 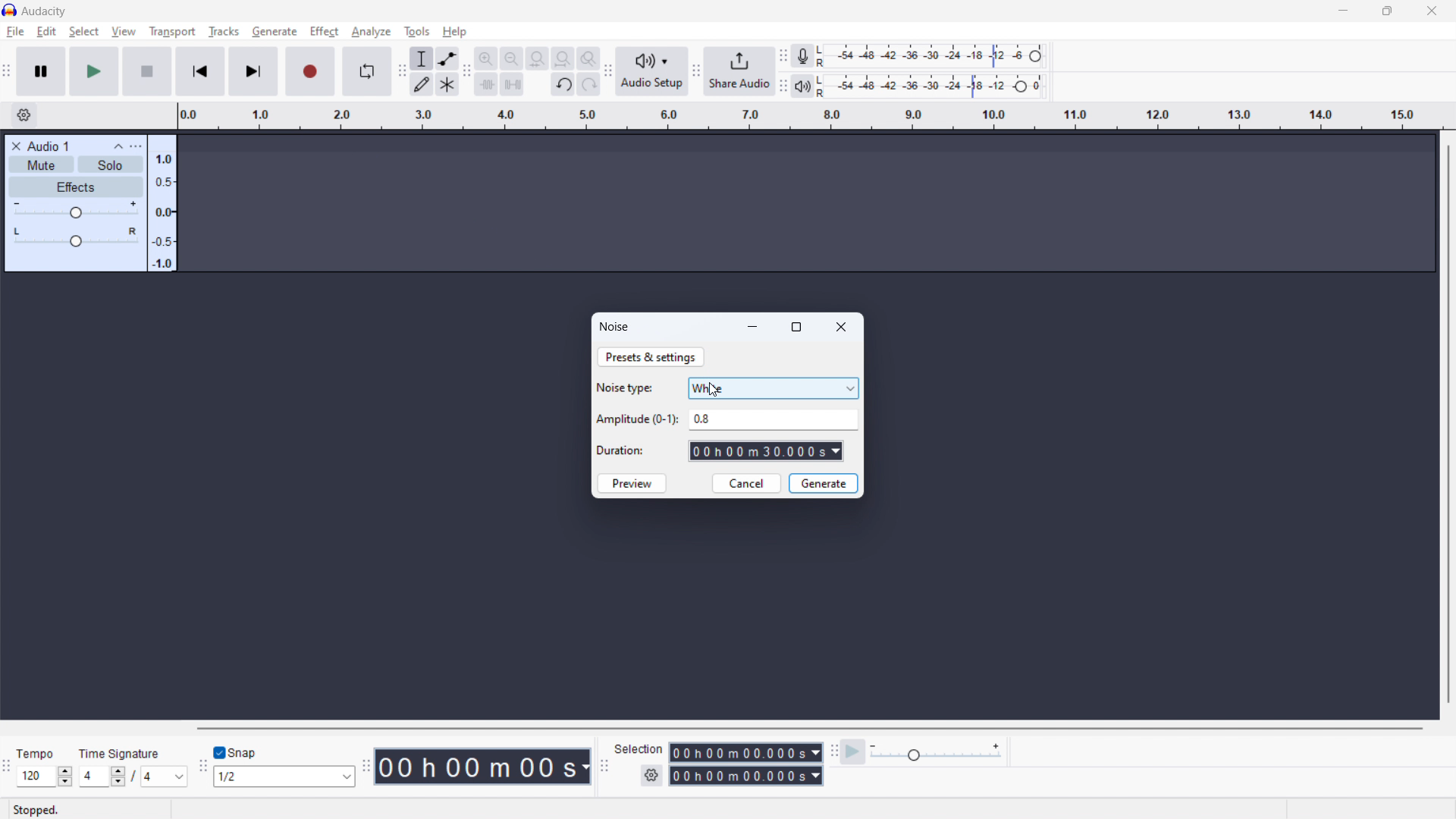 What do you see at coordinates (23, 116) in the screenshot?
I see `timeline settings` at bounding box center [23, 116].